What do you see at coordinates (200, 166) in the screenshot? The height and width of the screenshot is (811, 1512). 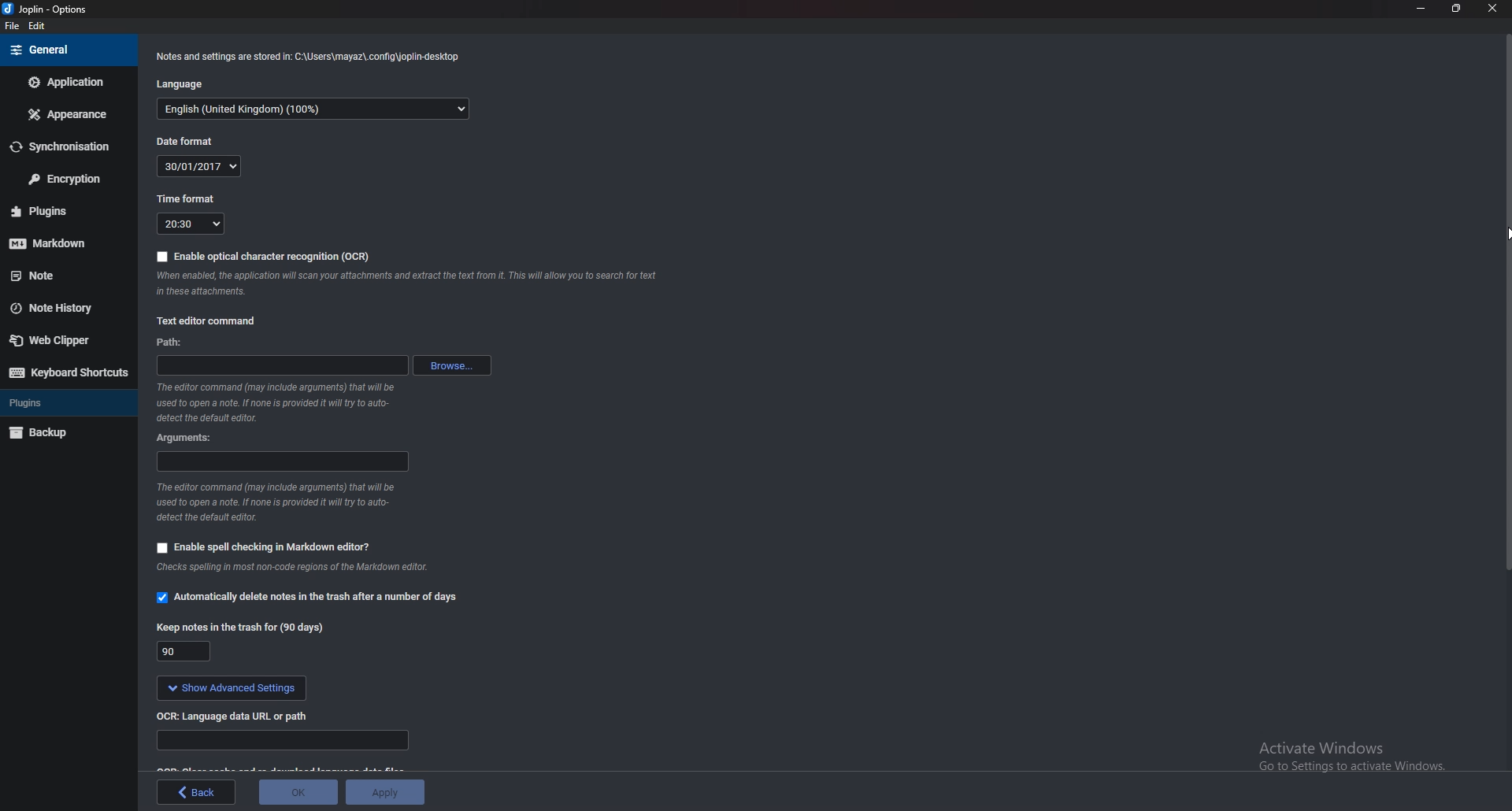 I see `30/01/2017` at bounding box center [200, 166].